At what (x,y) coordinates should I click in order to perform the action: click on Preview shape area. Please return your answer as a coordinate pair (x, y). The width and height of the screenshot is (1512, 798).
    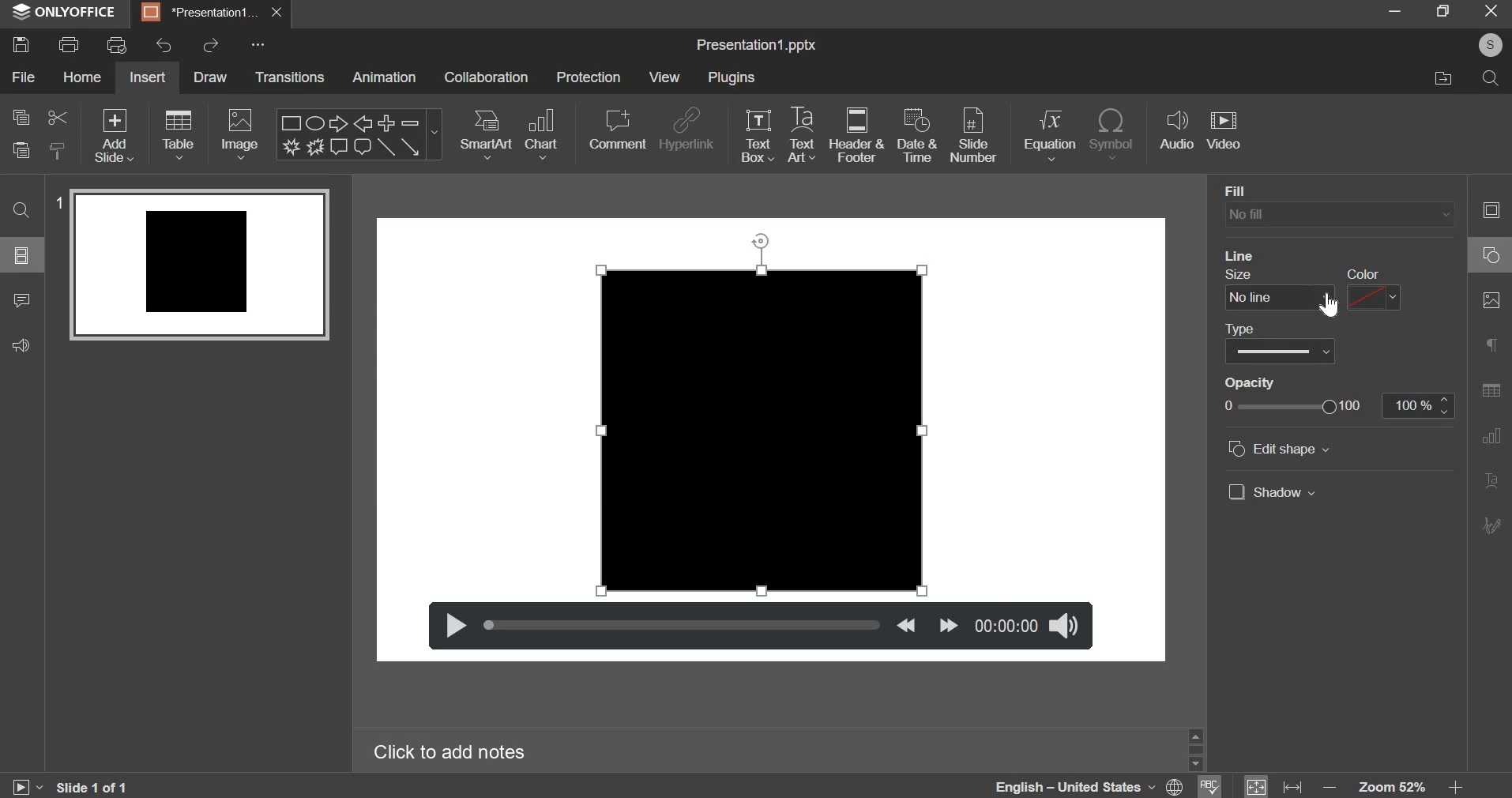
    Looking at the image, I should click on (199, 272).